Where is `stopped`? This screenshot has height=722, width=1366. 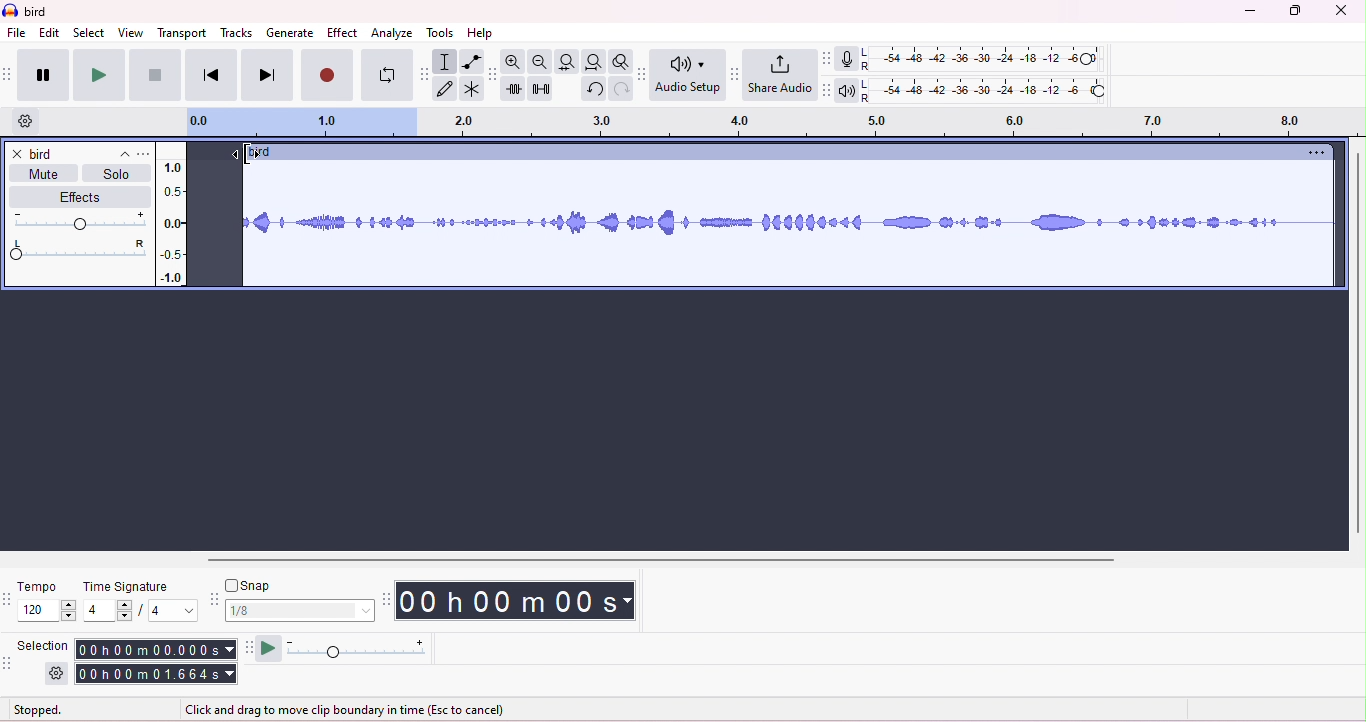 stopped is located at coordinates (39, 711).